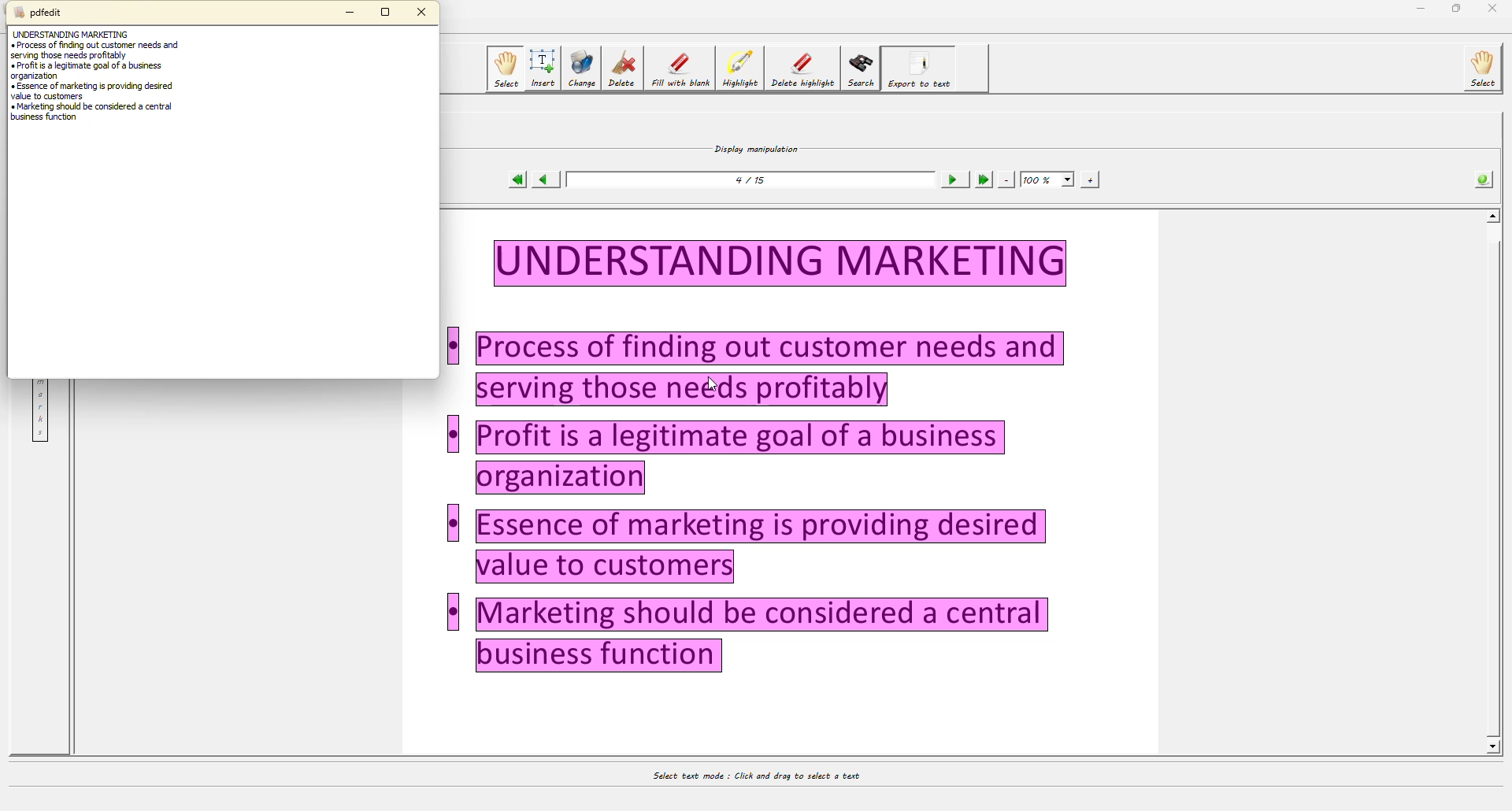 This screenshot has height=811, width=1512. Describe the element at coordinates (1006, 180) in the screenshot. I see `zoom out` at that location.